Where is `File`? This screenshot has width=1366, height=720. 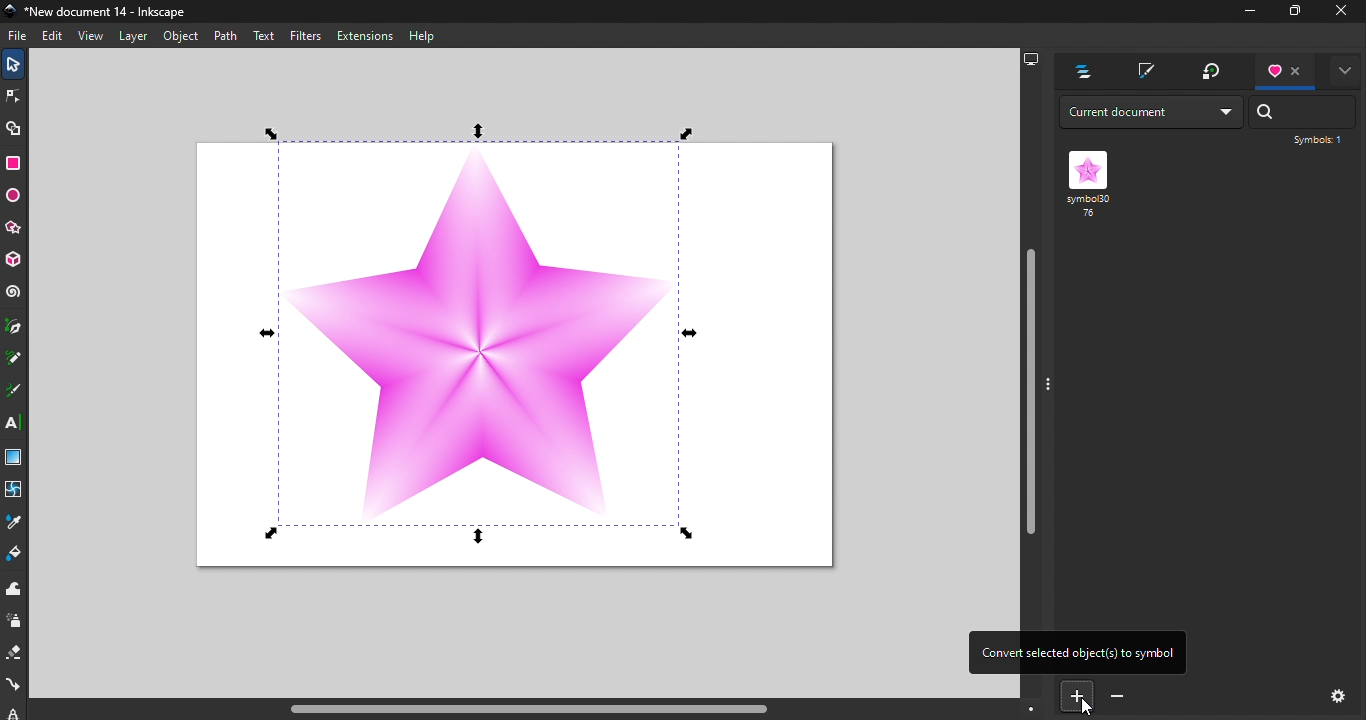
File is located at coordinates (20, 38).